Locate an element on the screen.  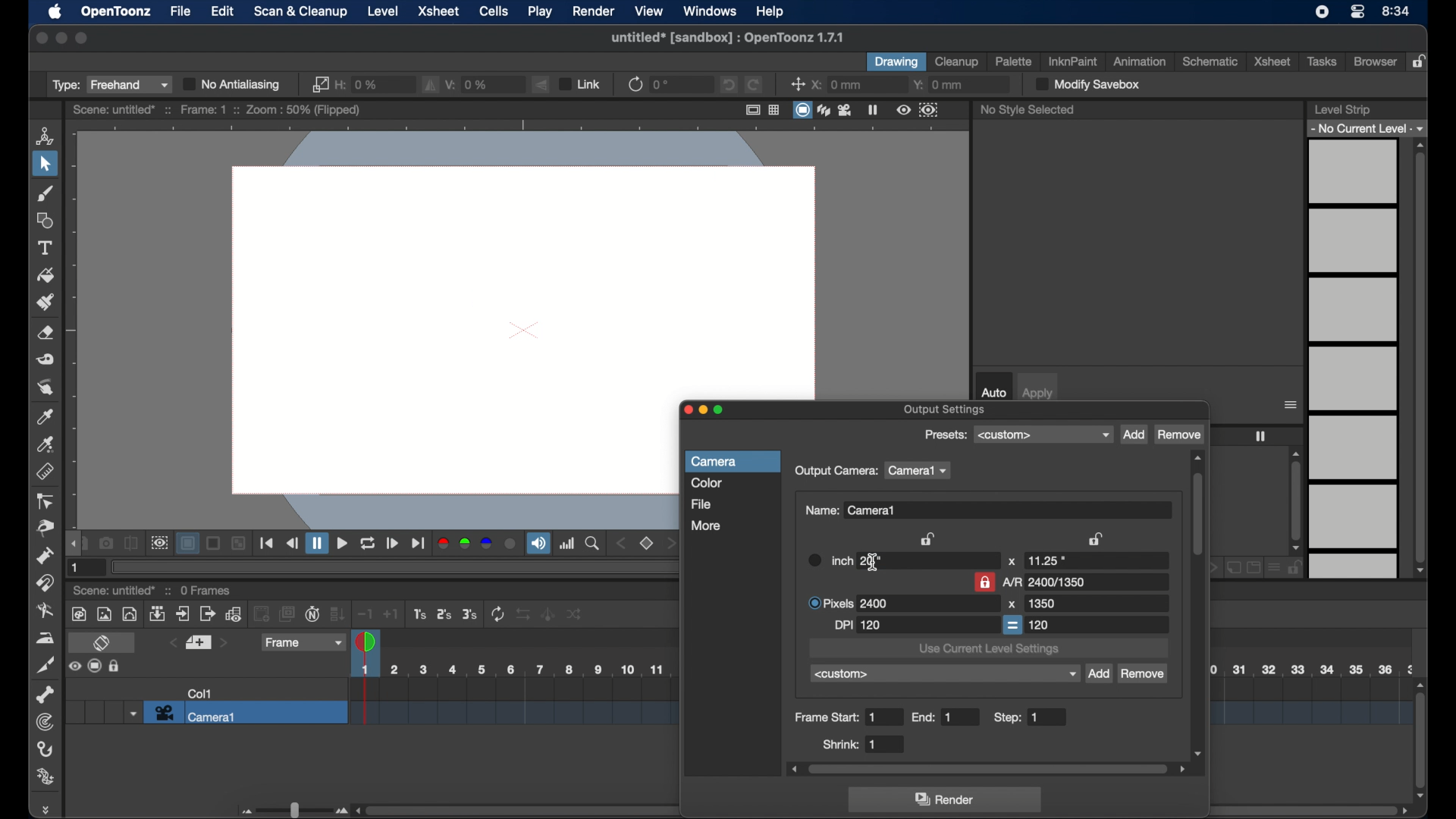
rgb picker tool is located at coordinates (46, 444).